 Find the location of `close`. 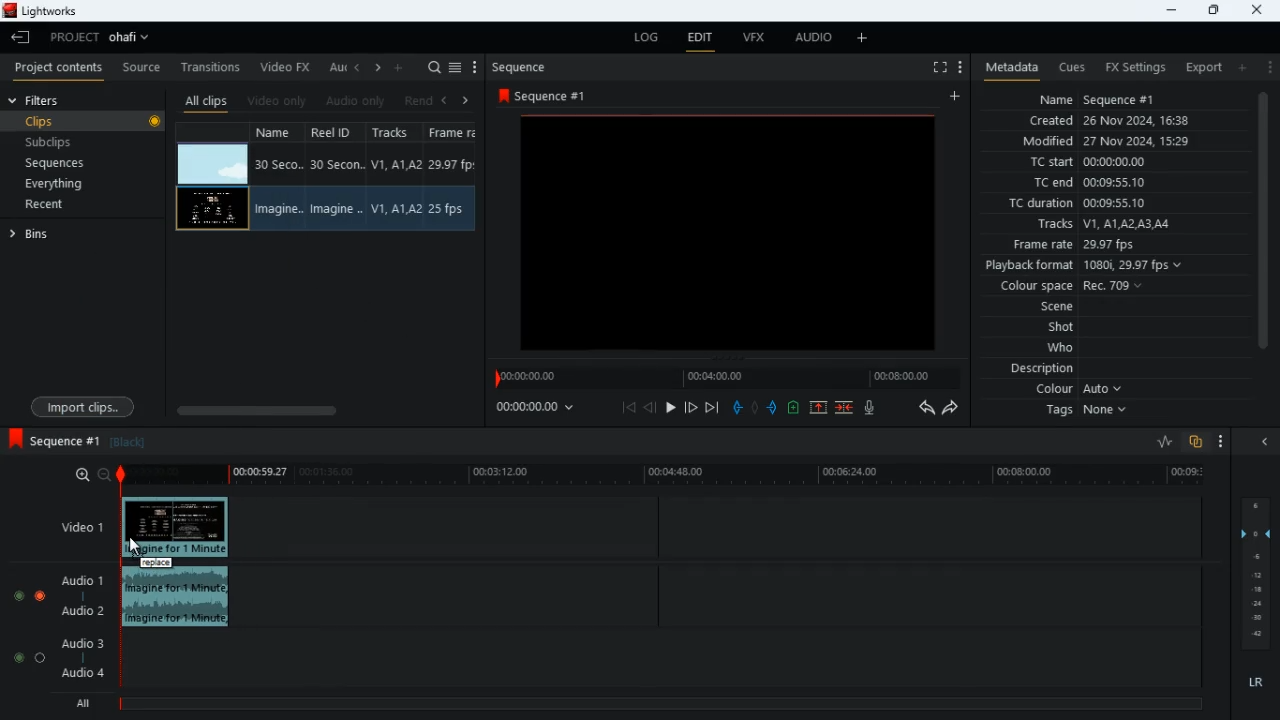

close is located at coordinates (1269, 443).